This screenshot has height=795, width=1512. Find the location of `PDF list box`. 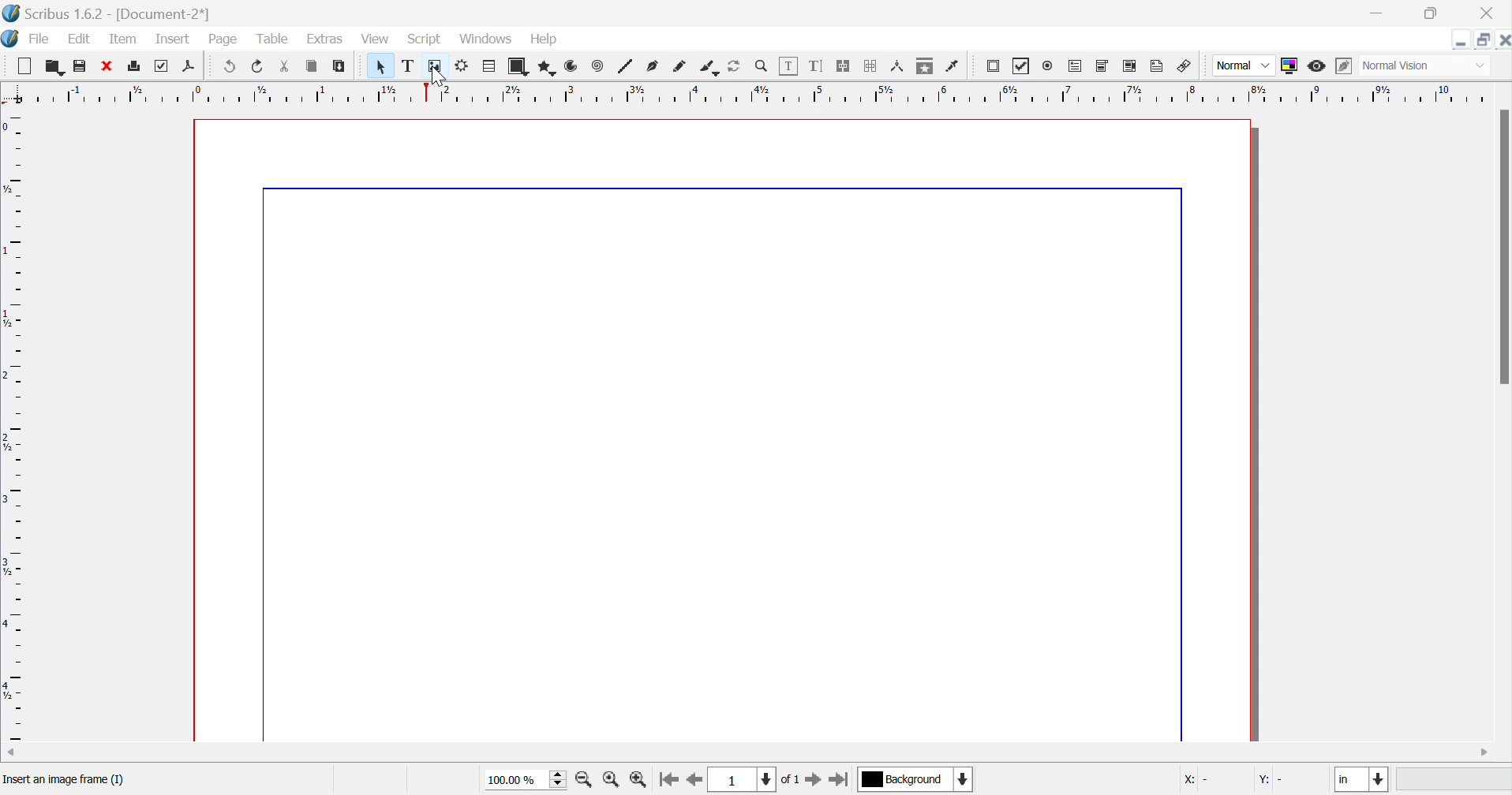

PDF list box is located at coordinates (1128, 65).